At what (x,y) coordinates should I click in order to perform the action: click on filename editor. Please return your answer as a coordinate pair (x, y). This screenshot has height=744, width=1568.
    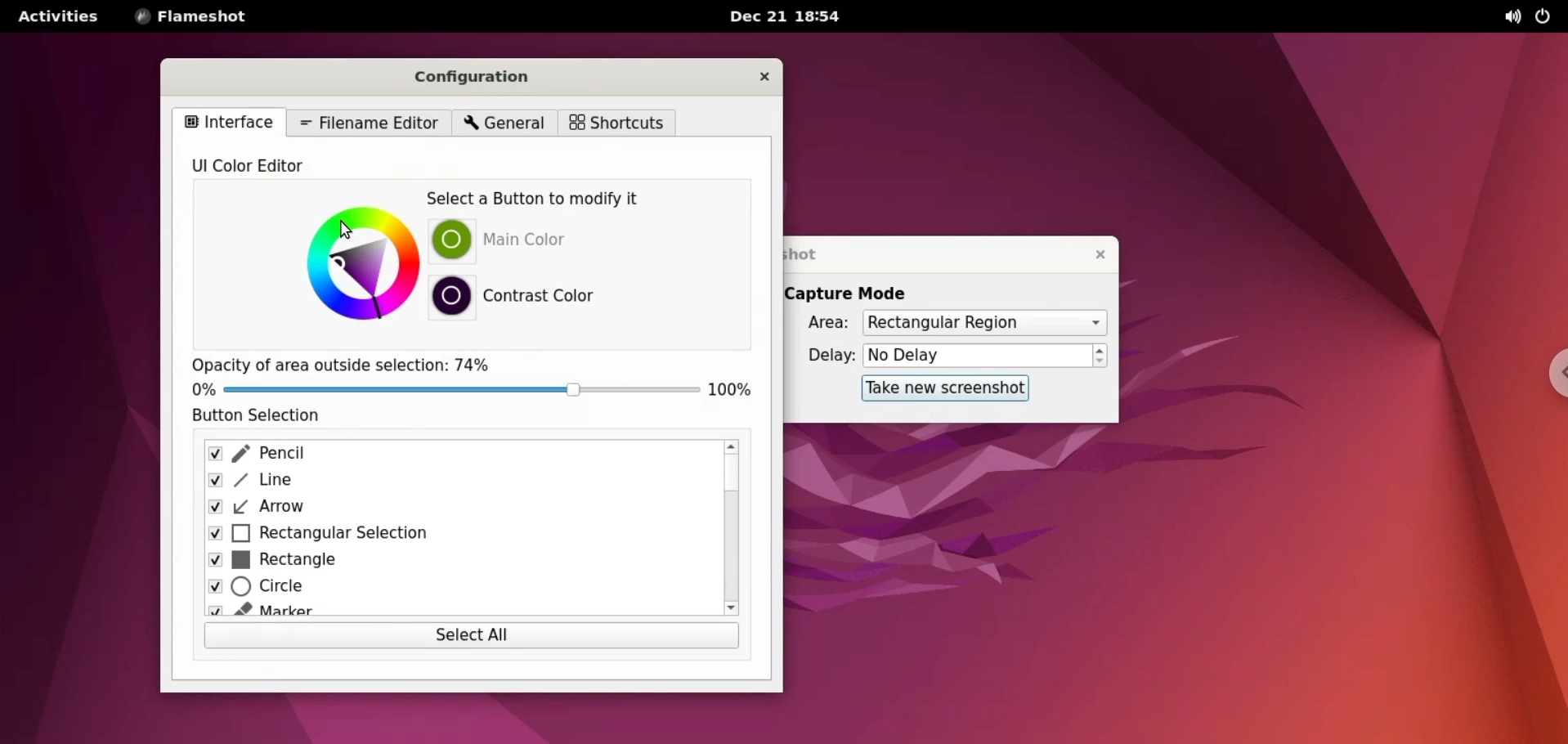
    Looking at the image, I should click on (371, 124).